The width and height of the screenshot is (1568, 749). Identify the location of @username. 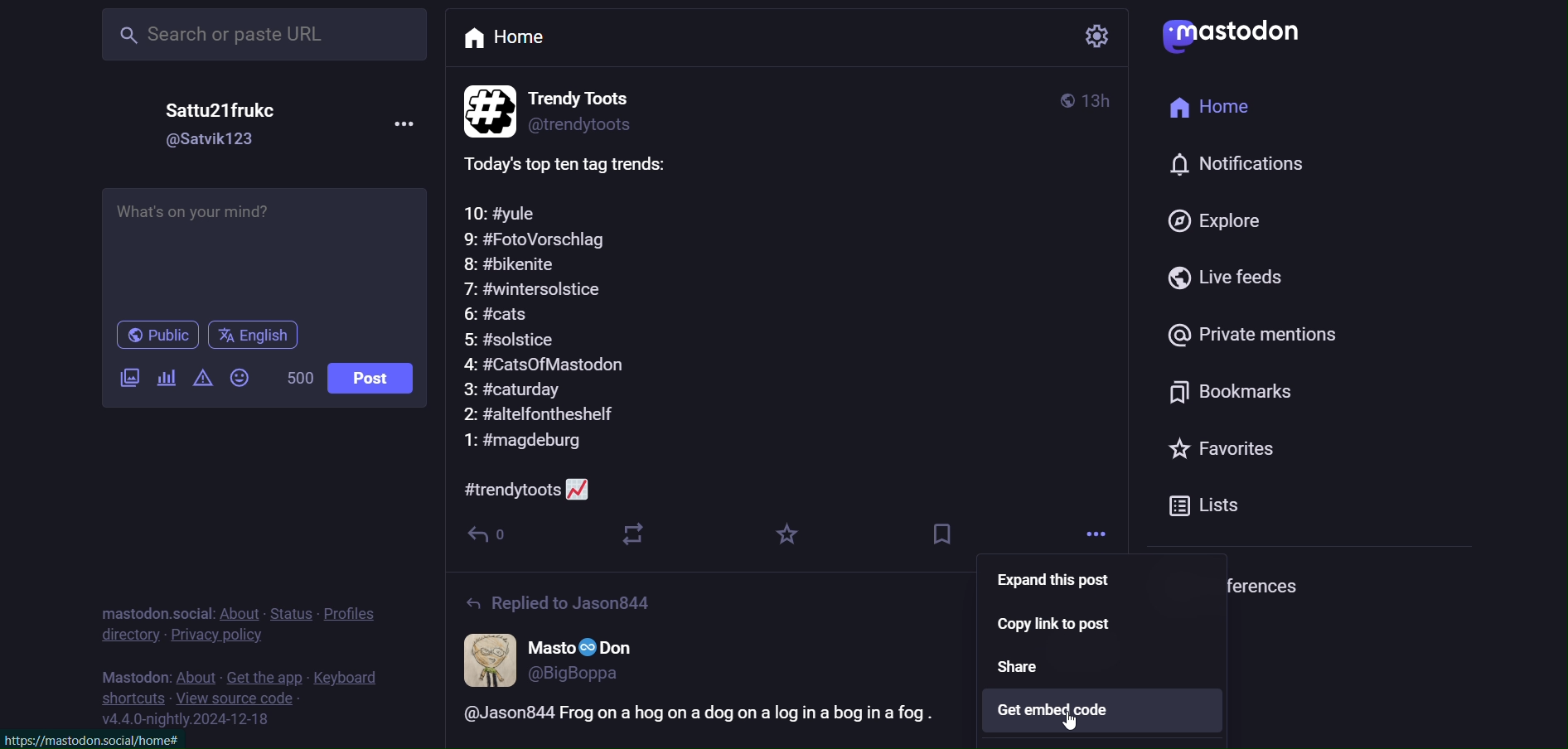
(211, 143).